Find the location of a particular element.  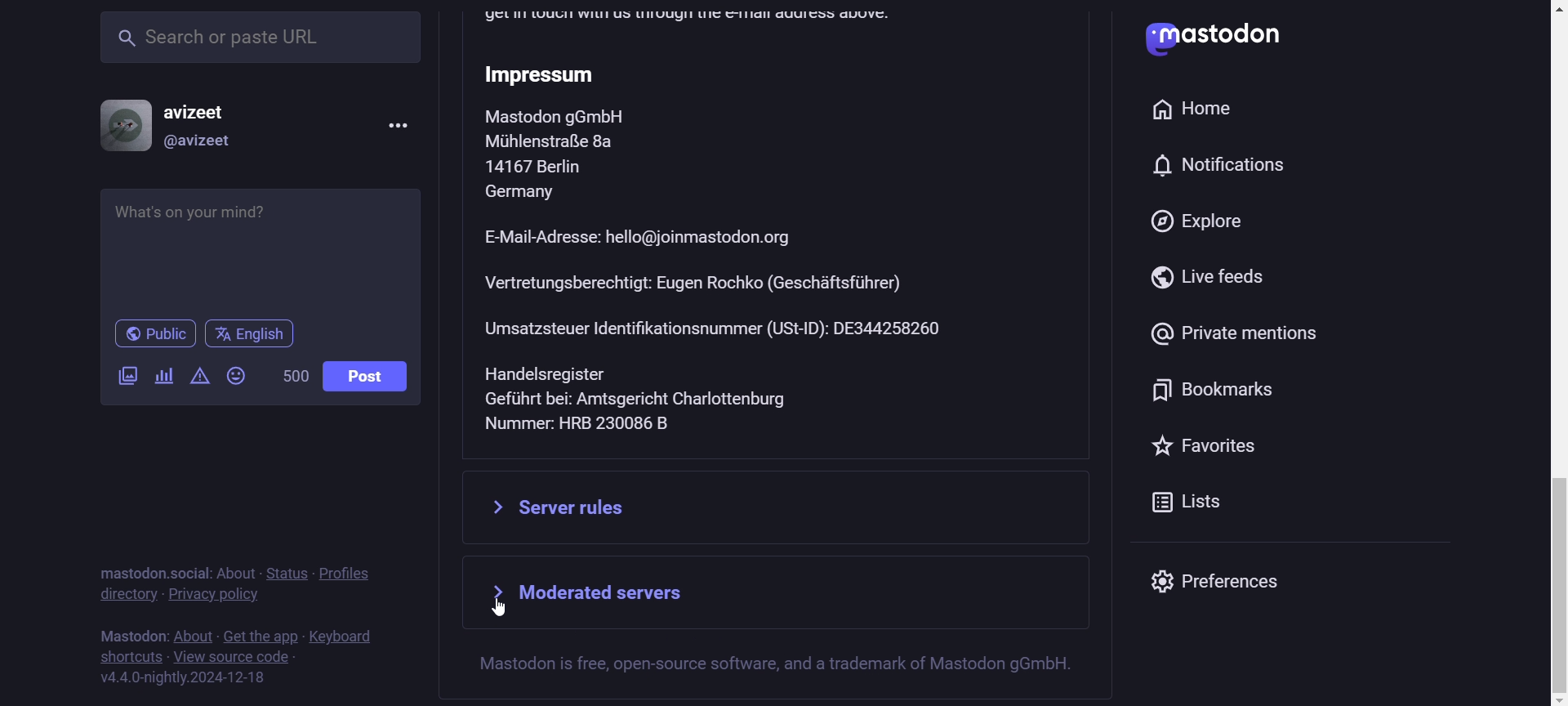

get the app is located at coordinates (261, 634).